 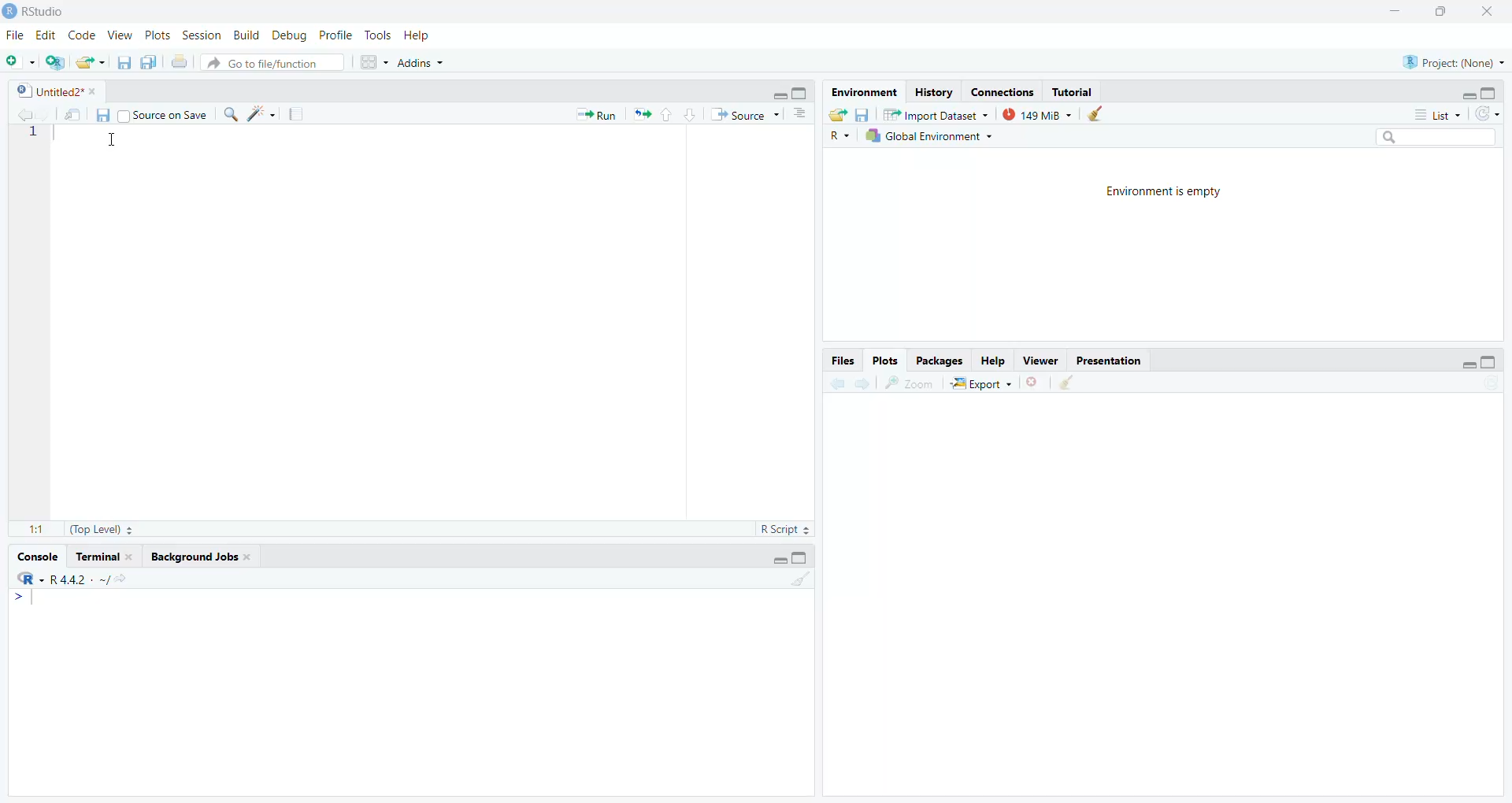 I want to click on Close, so click(x=1492, y=9).